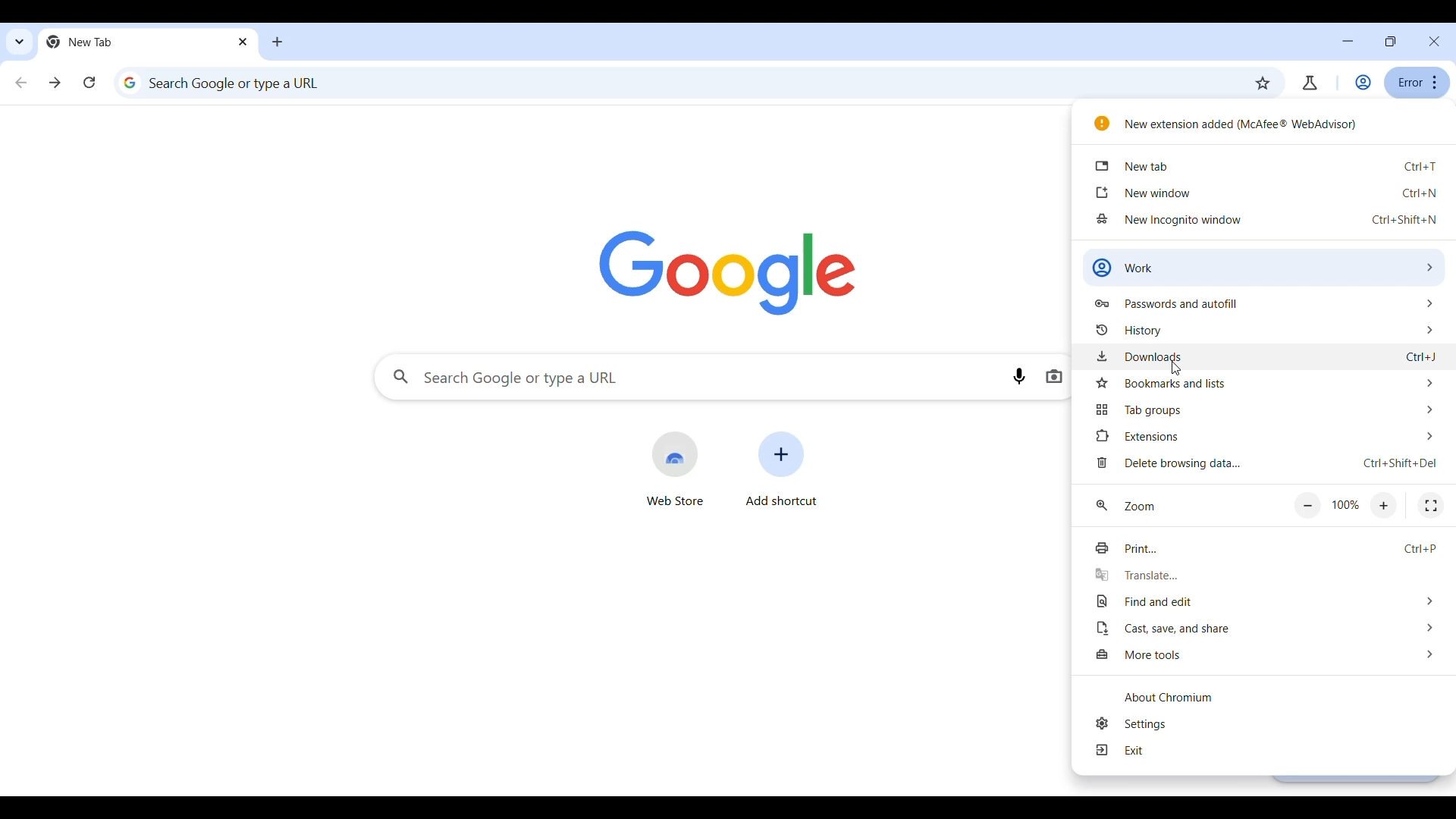 This screenshot has height=819, width=1456. I want to click on Close tab, so click(243, 41).